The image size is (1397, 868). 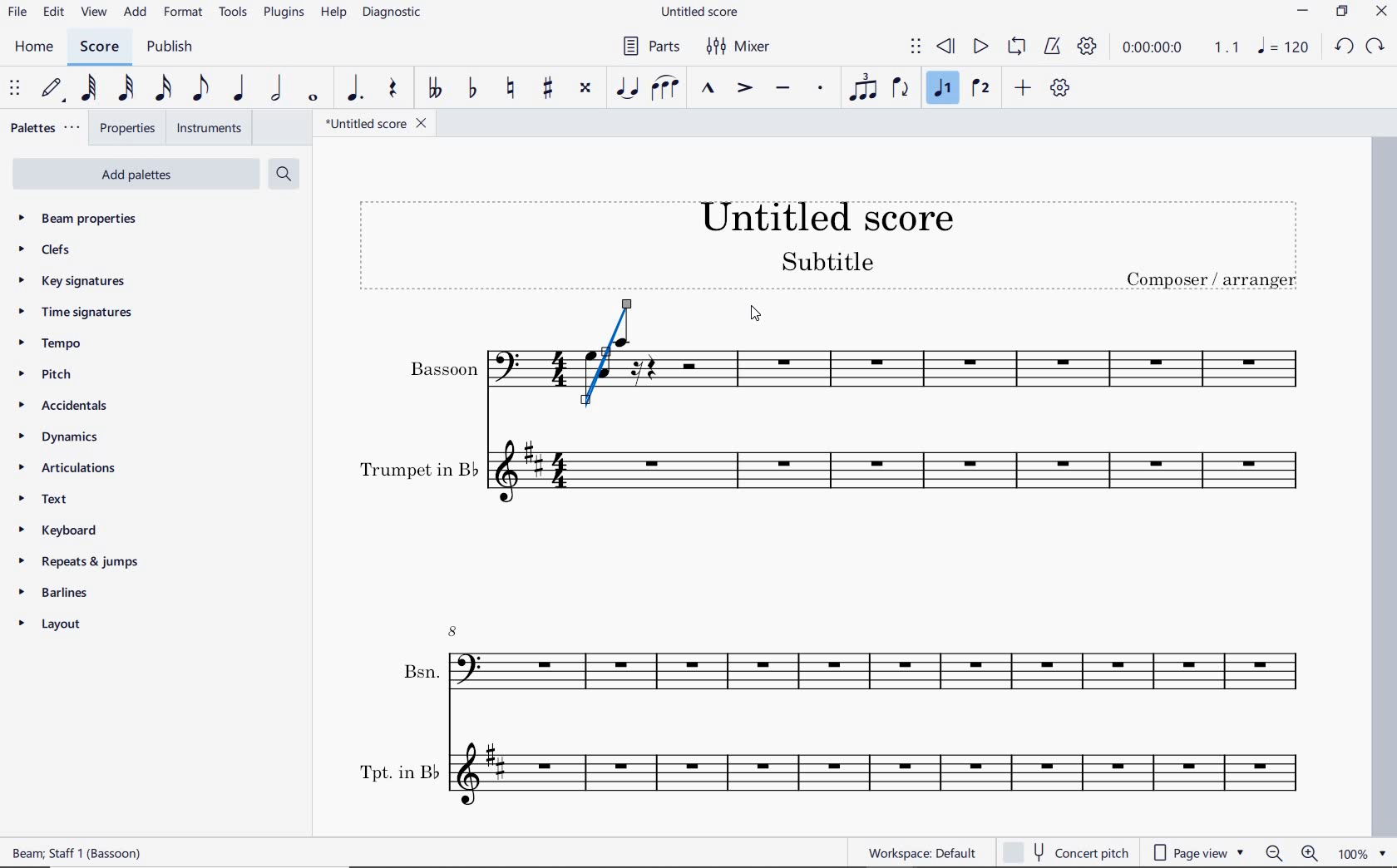 I want to click on search palettes, so click(x=285, y=174).